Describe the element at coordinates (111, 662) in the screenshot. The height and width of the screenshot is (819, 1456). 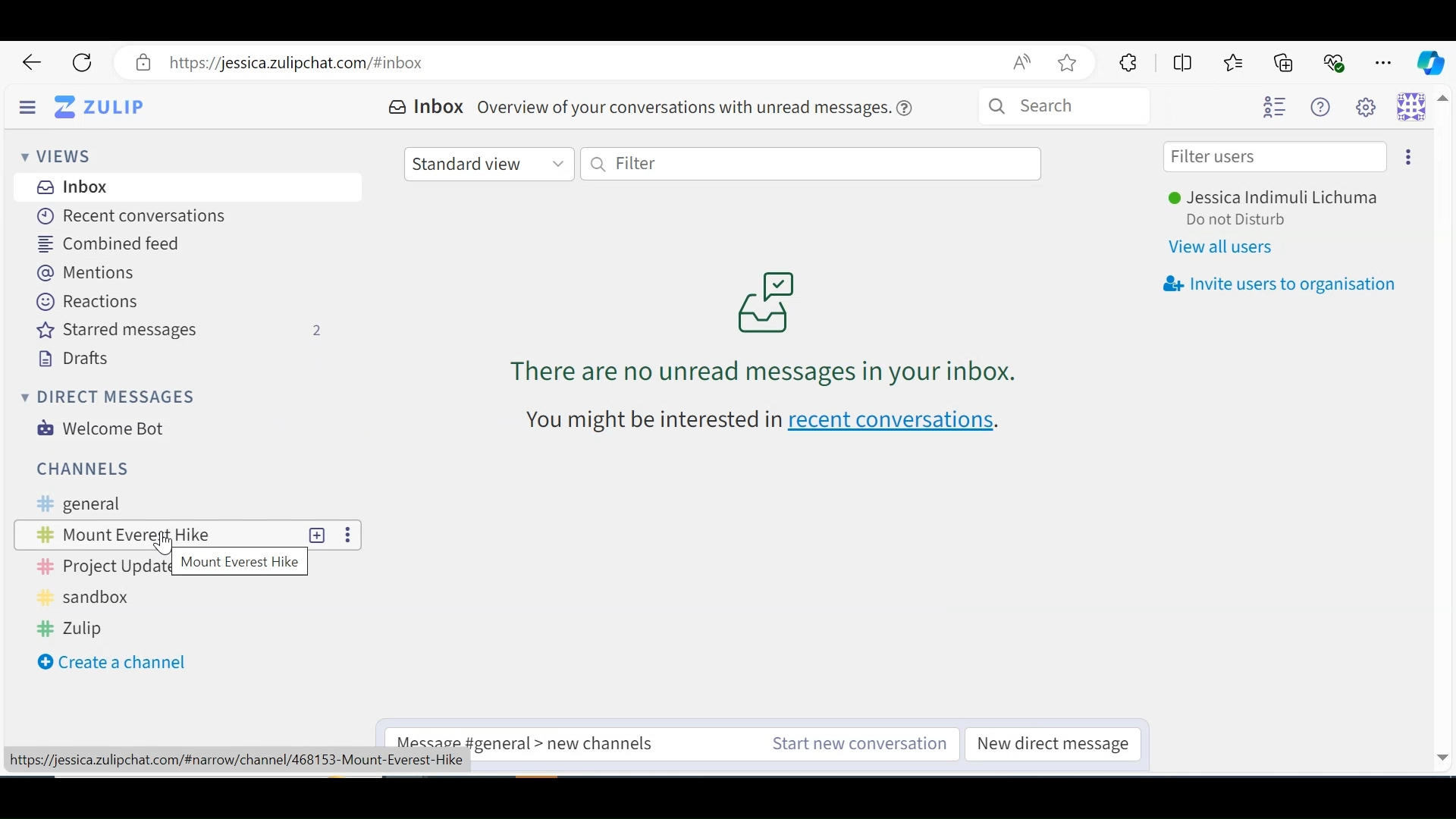
I see `Create a new Channel` at that location.